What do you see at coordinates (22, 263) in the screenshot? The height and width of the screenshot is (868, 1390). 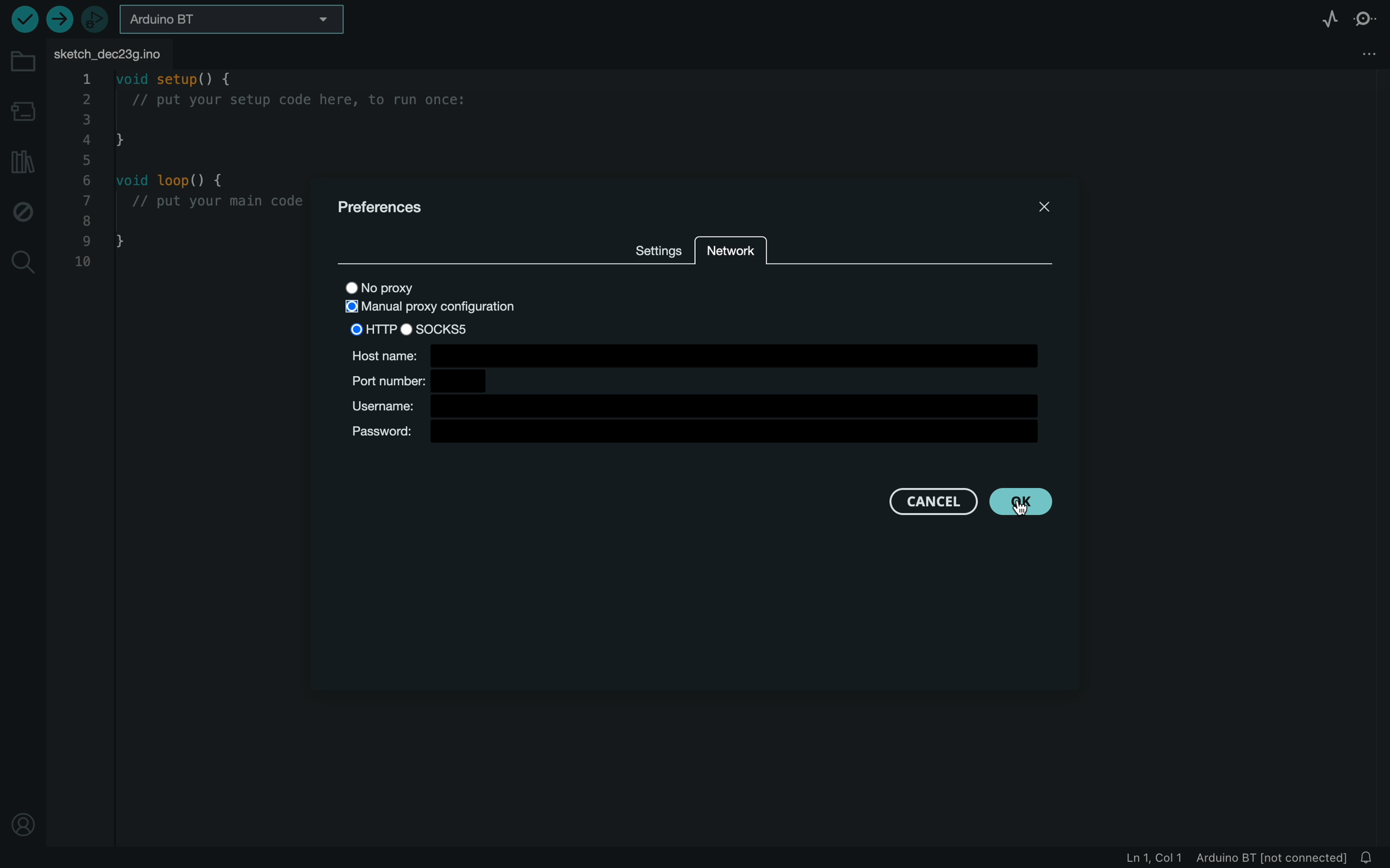 I see `search` at bounding box center [22, 263].